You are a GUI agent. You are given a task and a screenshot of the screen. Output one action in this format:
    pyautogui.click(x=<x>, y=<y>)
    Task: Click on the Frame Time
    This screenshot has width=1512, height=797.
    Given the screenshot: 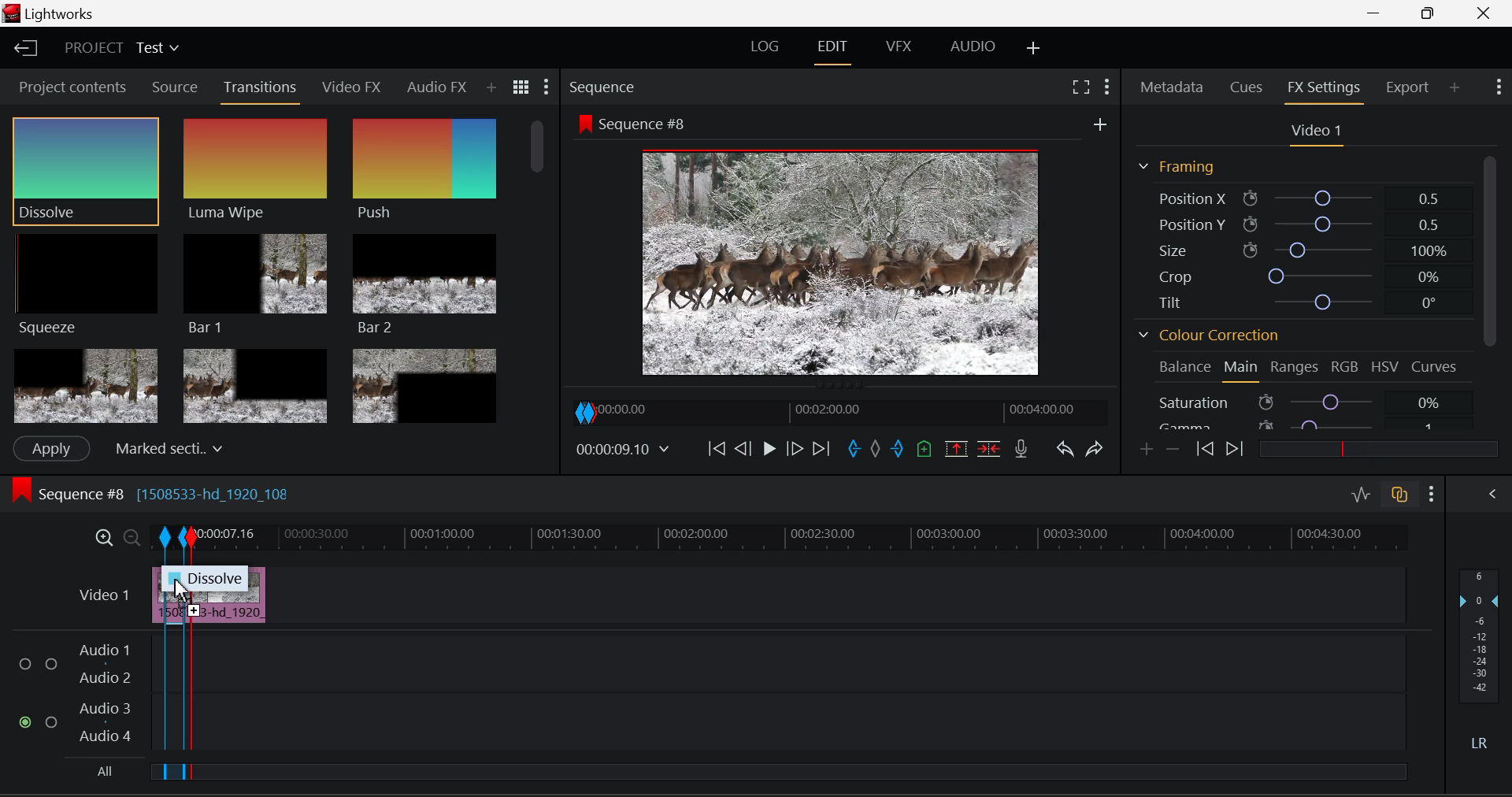 What is the action you would take?
    pyautogui.click(x=622, y=449)
    